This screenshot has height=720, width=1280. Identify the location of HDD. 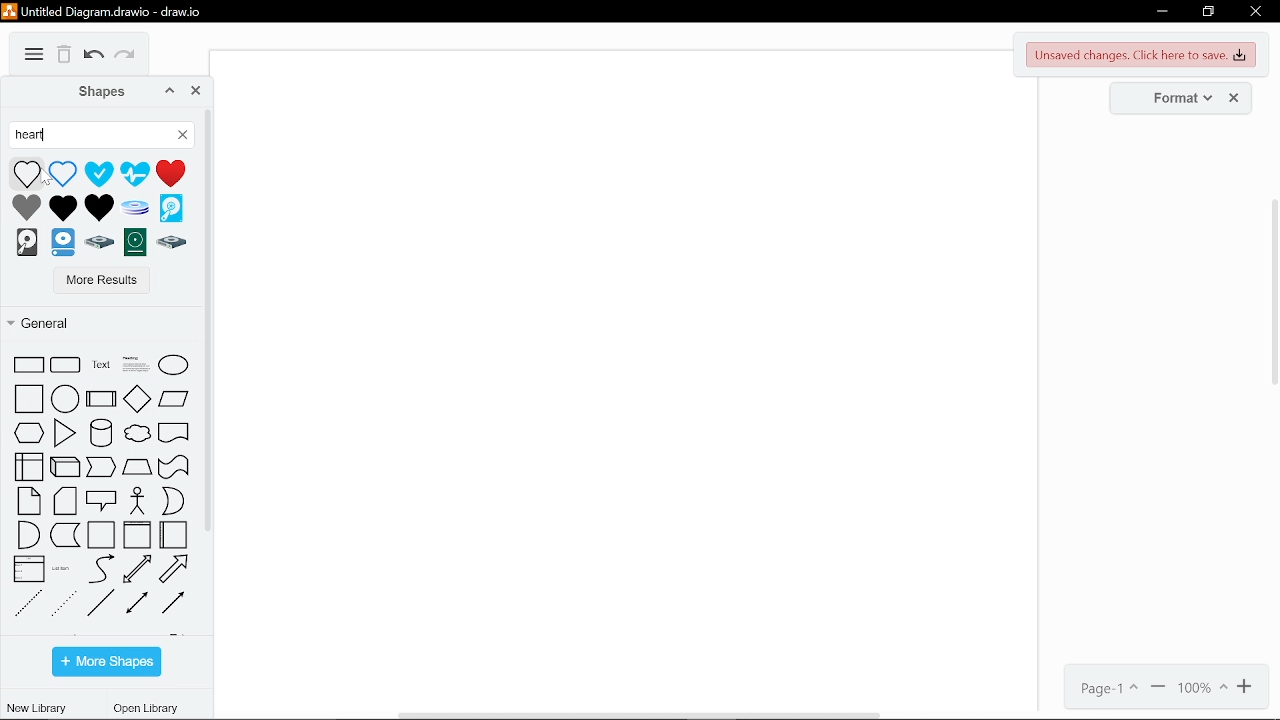
(135, 242).